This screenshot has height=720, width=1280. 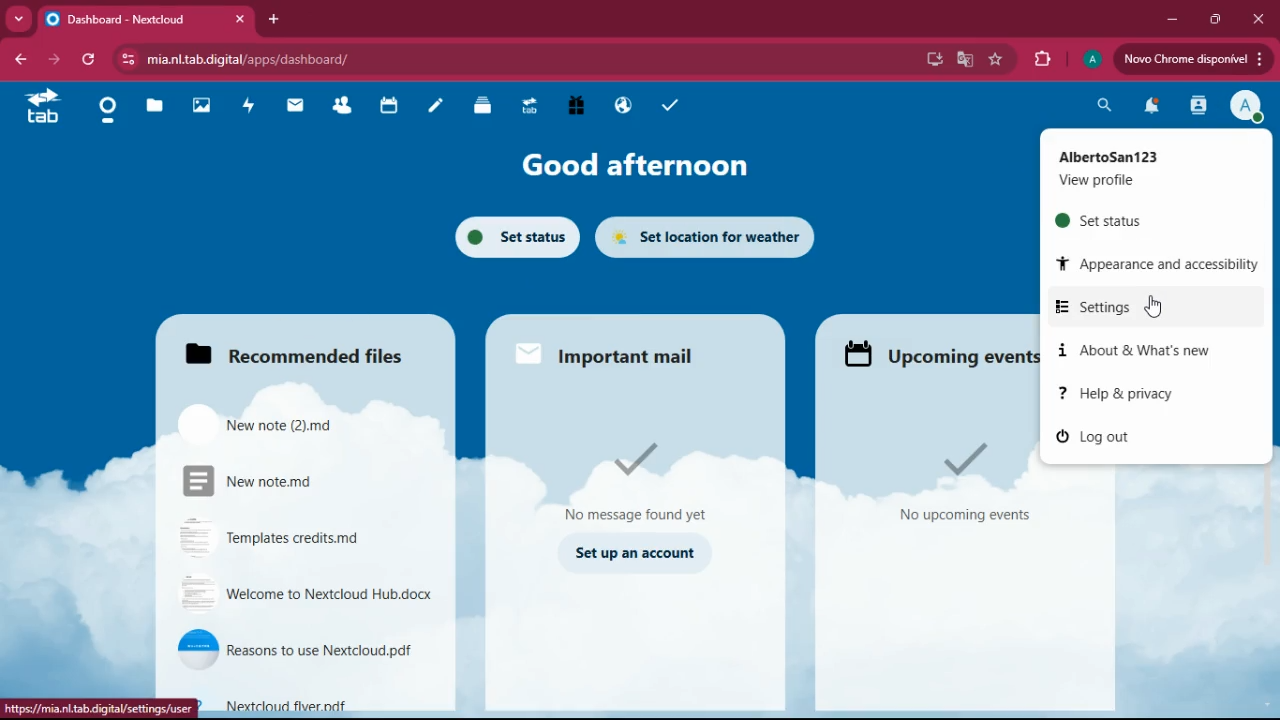 I want to click on set location, so click(x=706, y=236).